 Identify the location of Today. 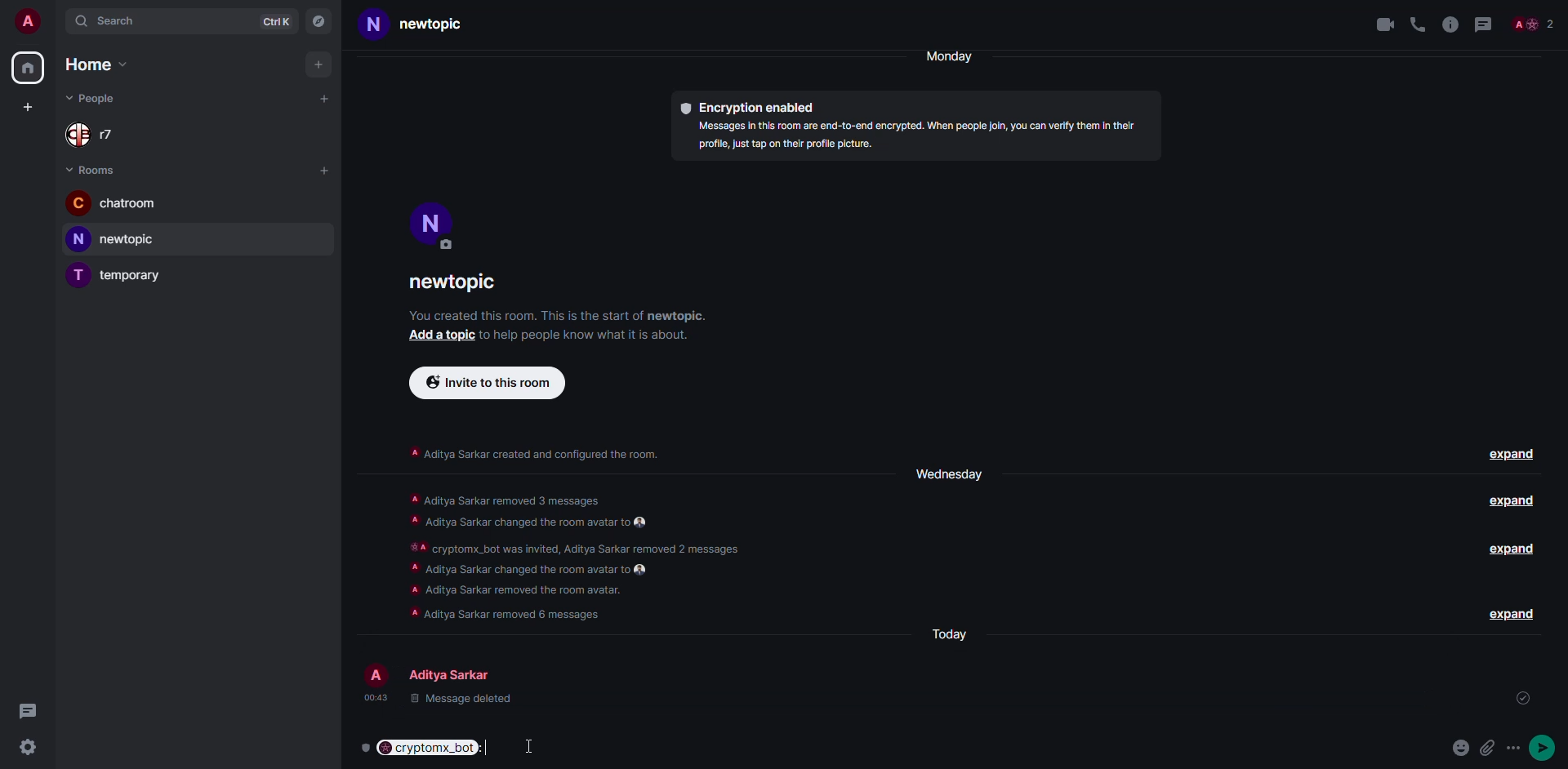
(953, 634).